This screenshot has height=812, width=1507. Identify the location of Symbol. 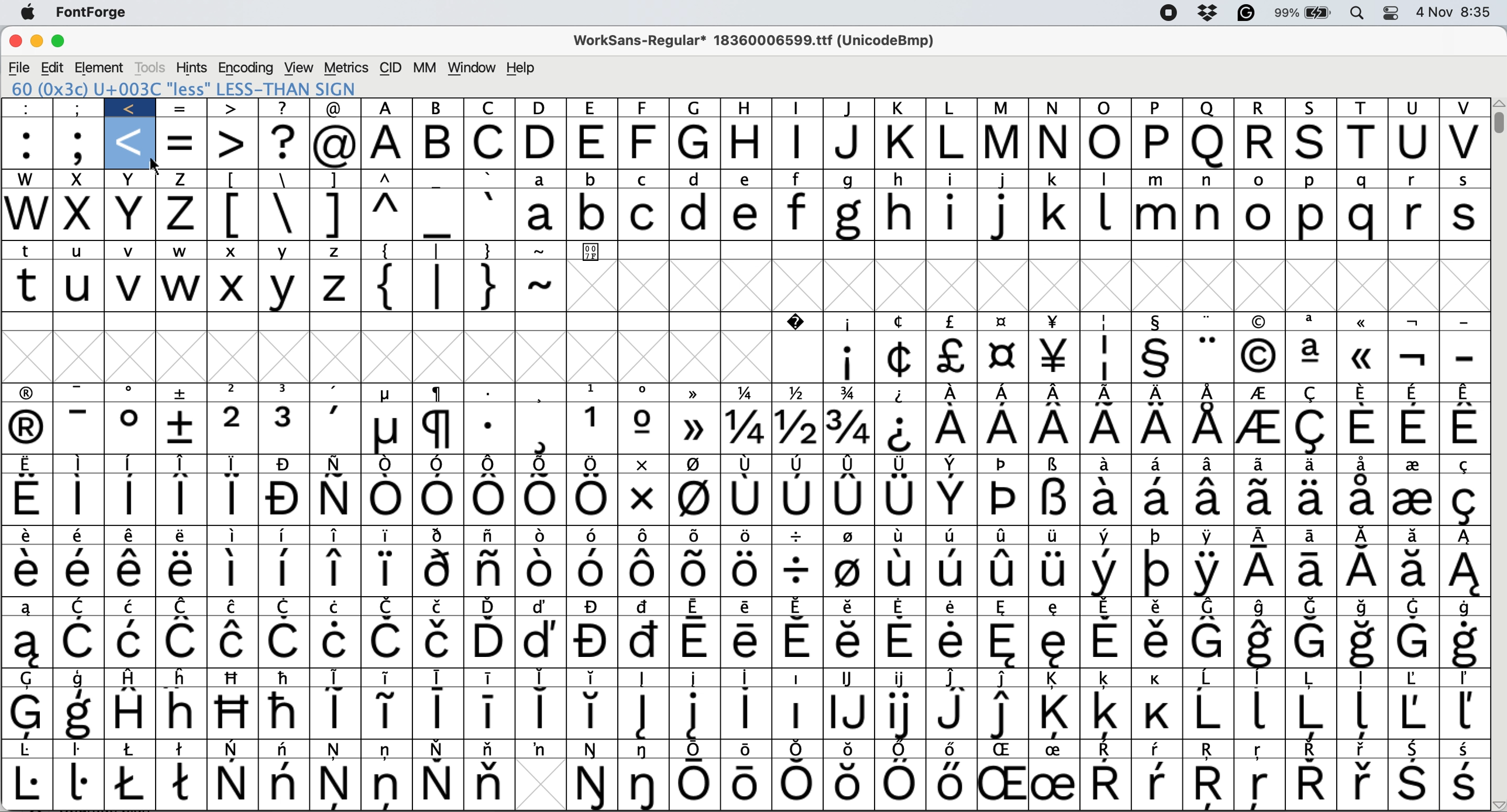
(1465, 679).